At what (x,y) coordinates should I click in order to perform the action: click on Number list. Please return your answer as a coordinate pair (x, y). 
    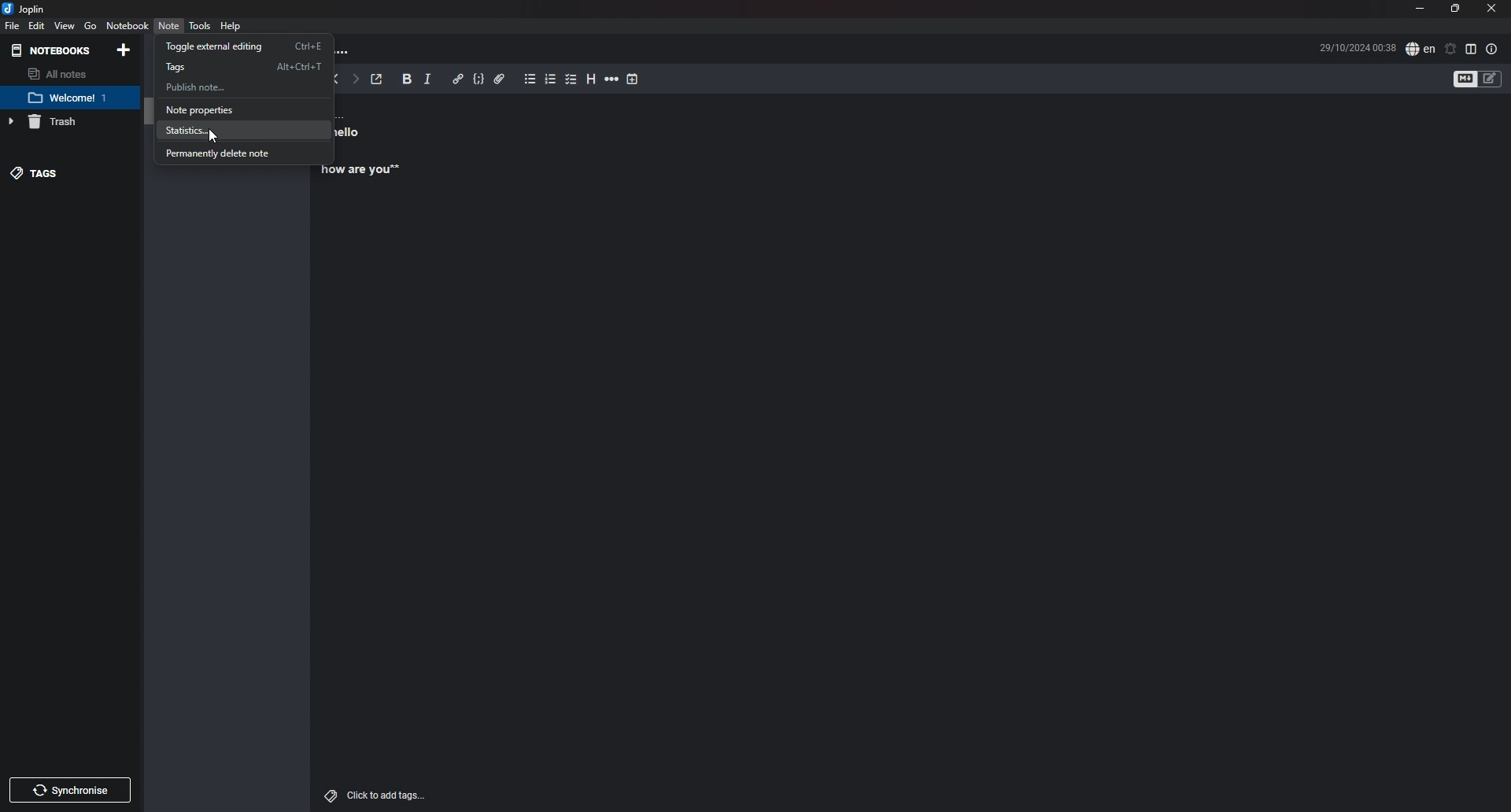
    Looking at the image, I should click on (552, 79).